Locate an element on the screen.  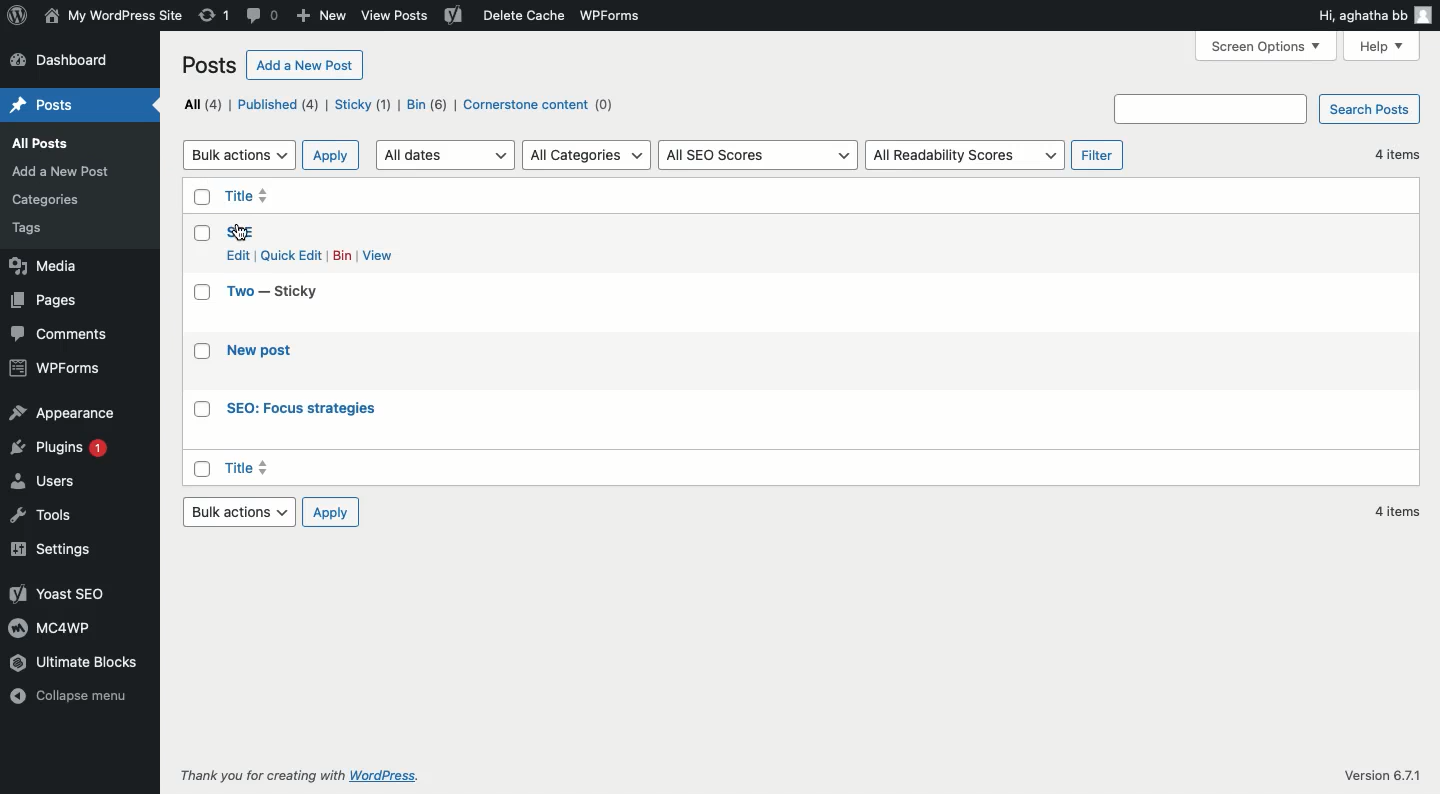
categories is located at coordinates (53, 197).